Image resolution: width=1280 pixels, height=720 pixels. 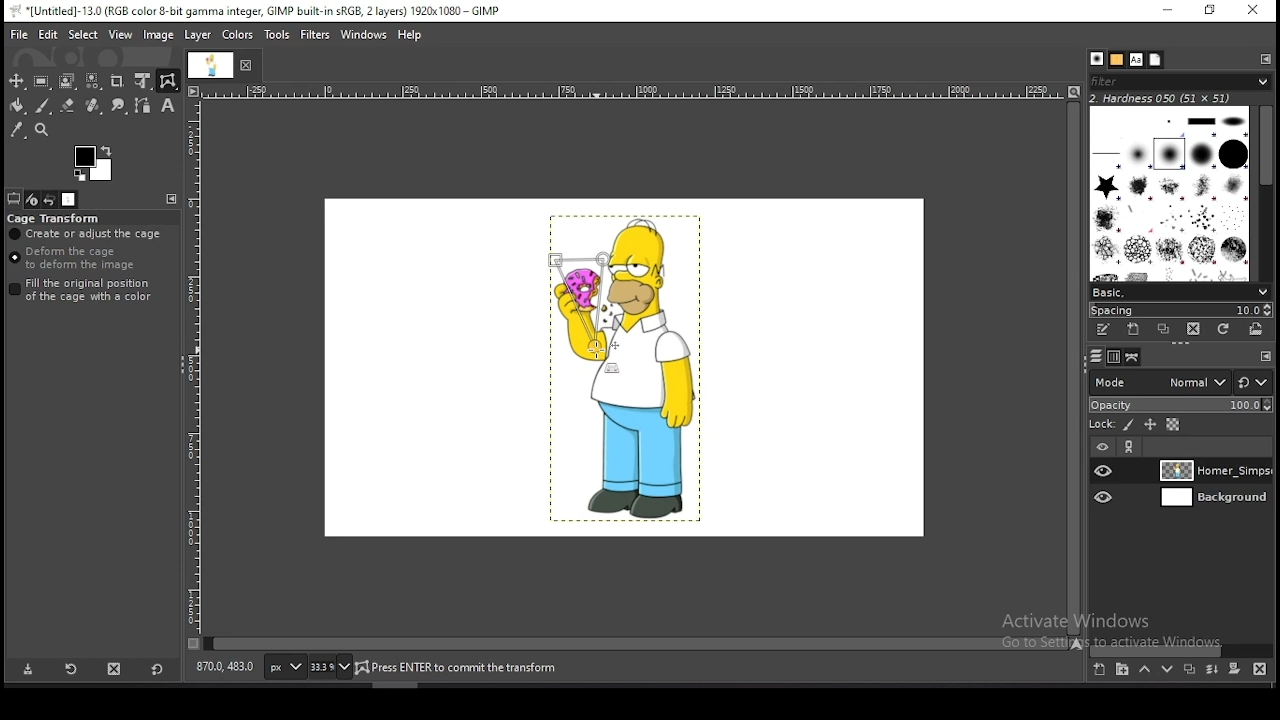 I want to click on device status, so click(x=31, y=199).